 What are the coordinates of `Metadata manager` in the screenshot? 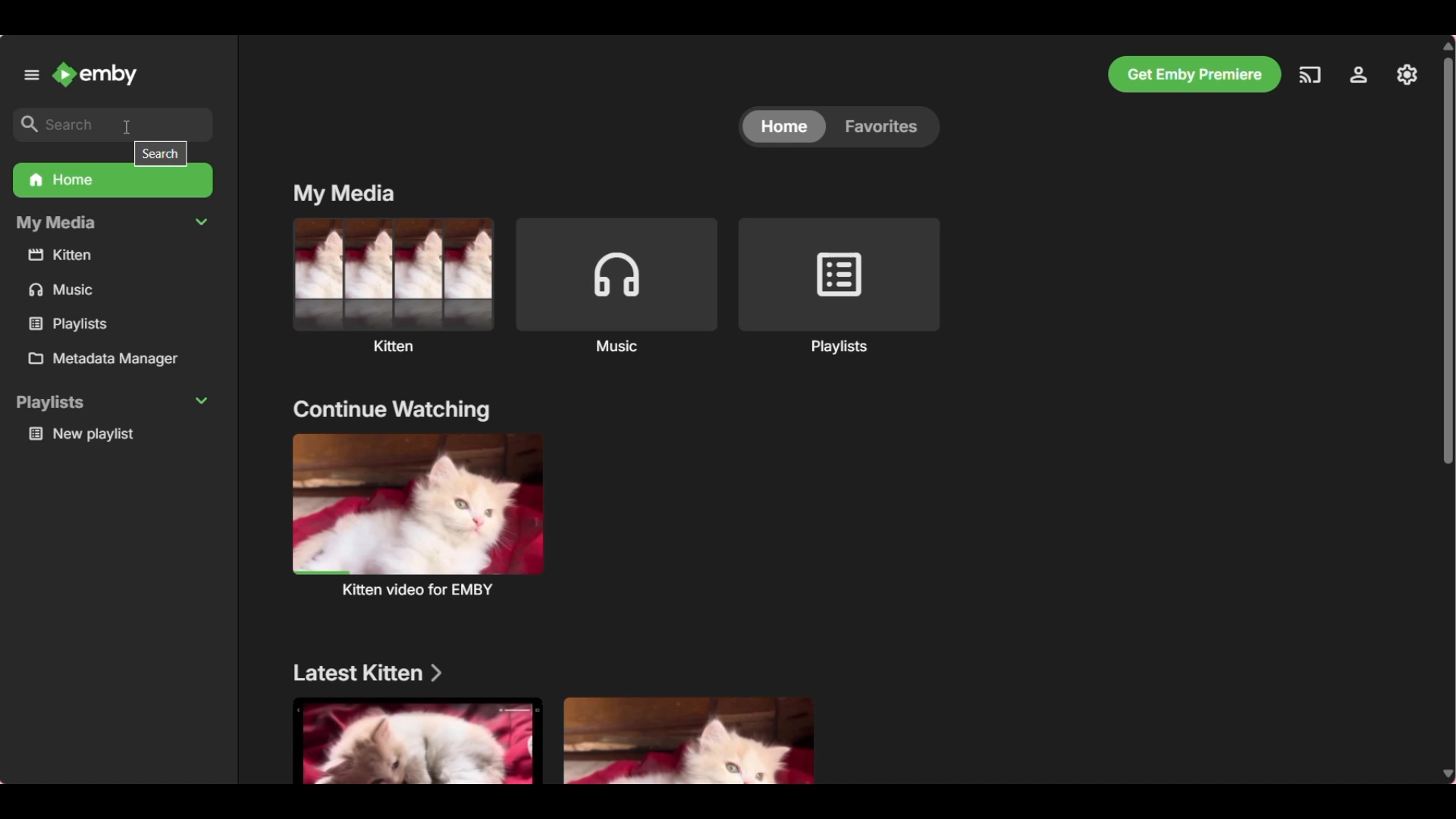 It's located at (119, 360).